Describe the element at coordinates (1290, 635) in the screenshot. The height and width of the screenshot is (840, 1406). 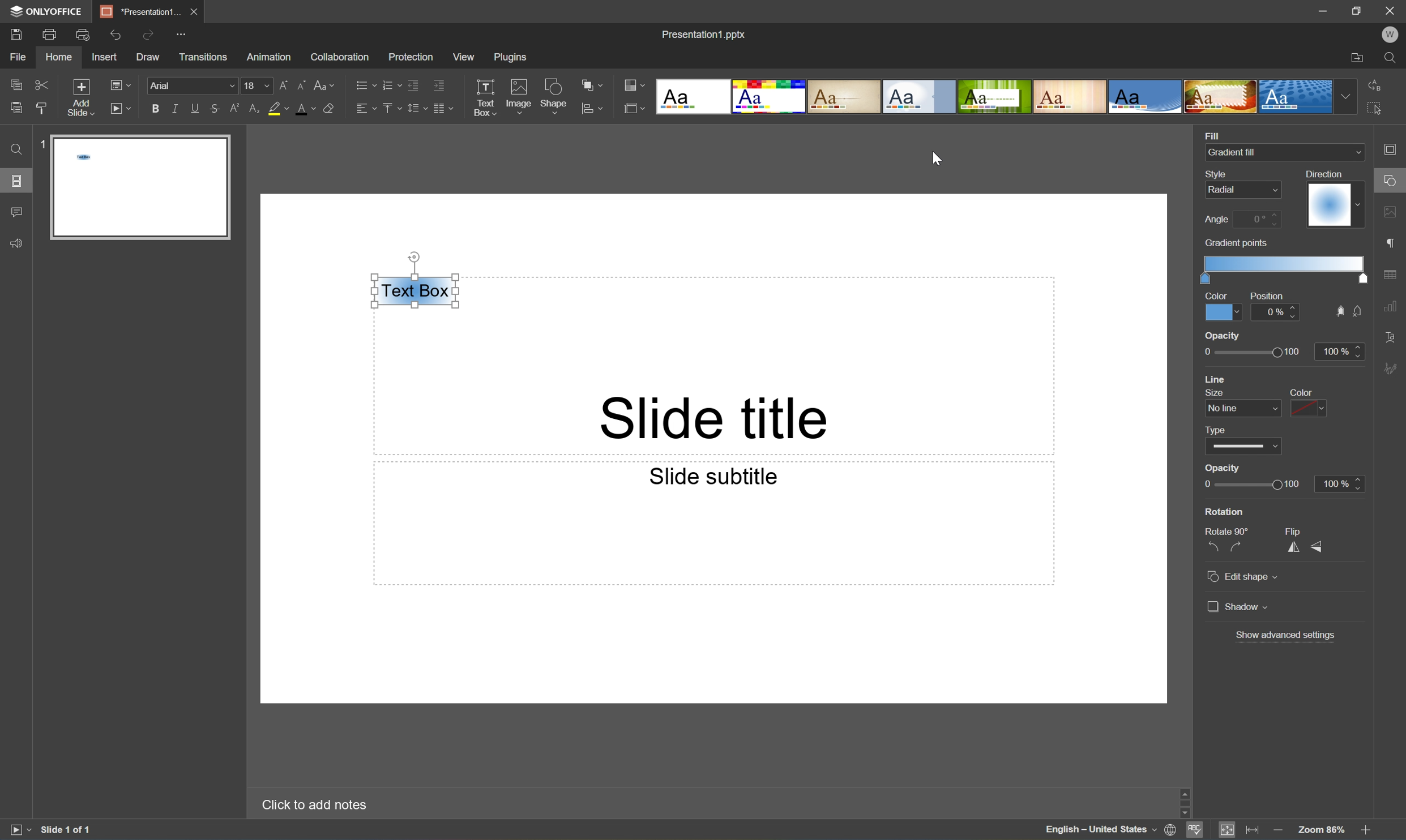
I see `Show advanced settings` at that location.